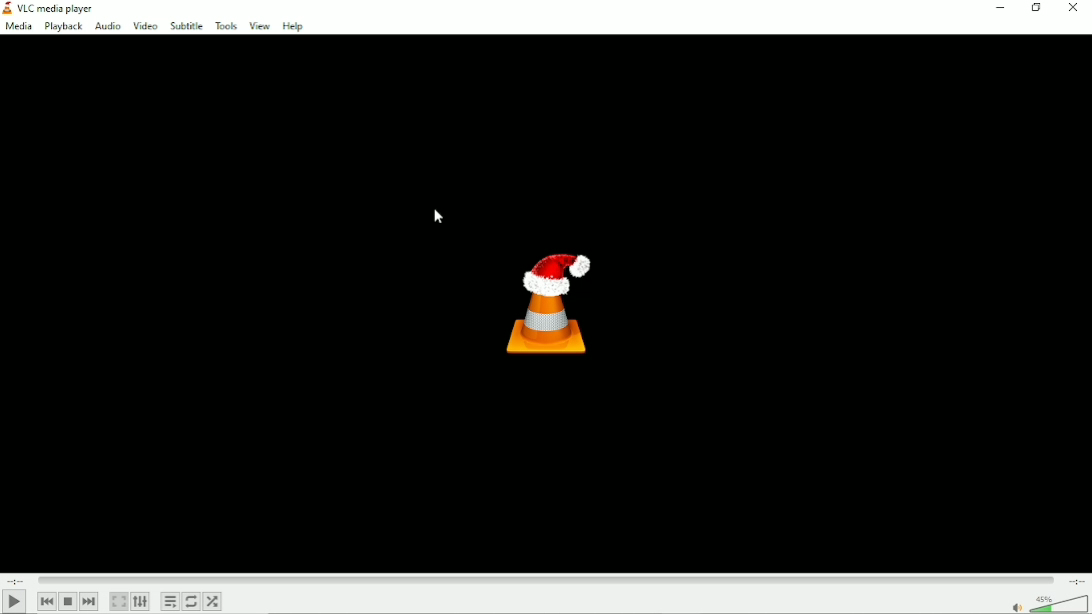 Image resolution: width=1092 pixels, height=614 pixels. Describe the element at coordinates (67, 602) in the screenshot. I see `Stop playlist` at that location.